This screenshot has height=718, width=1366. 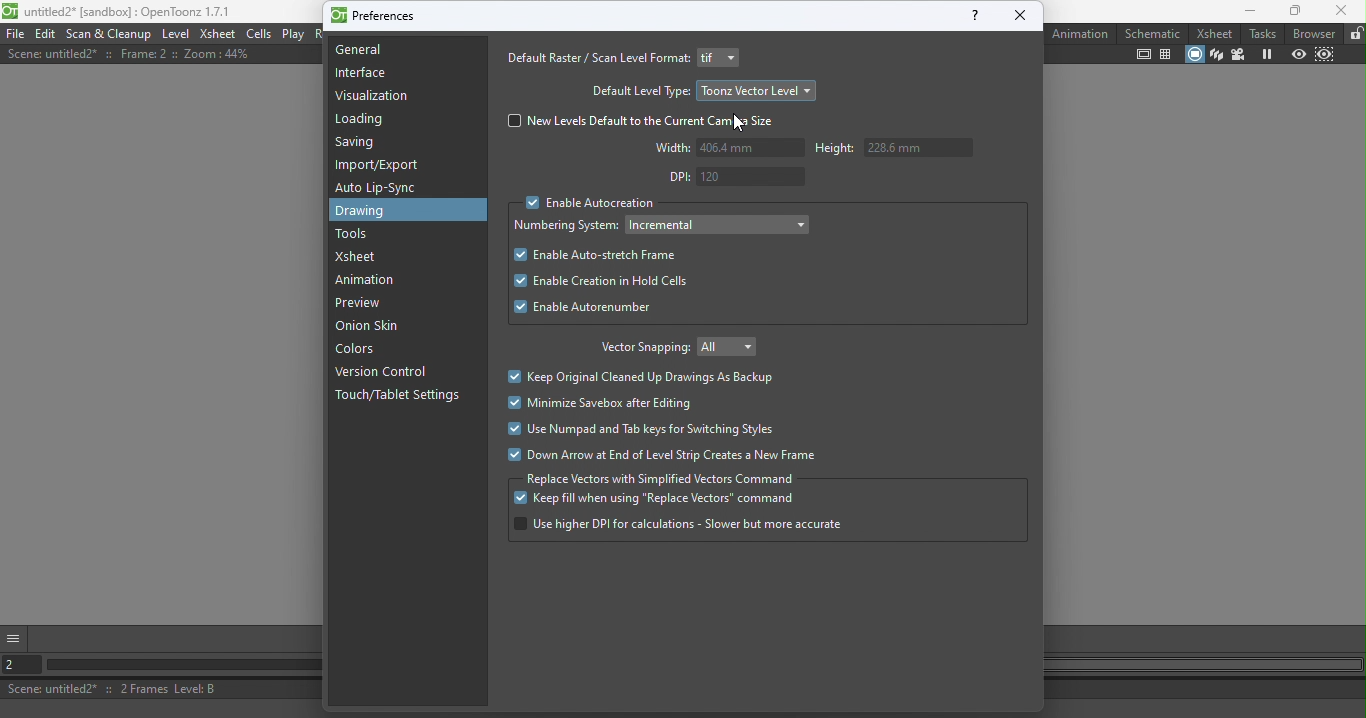 What do you see at coordinates (17, 665) in the screenshot?
I see `Set the current frame` at bounding box center [17, 665].